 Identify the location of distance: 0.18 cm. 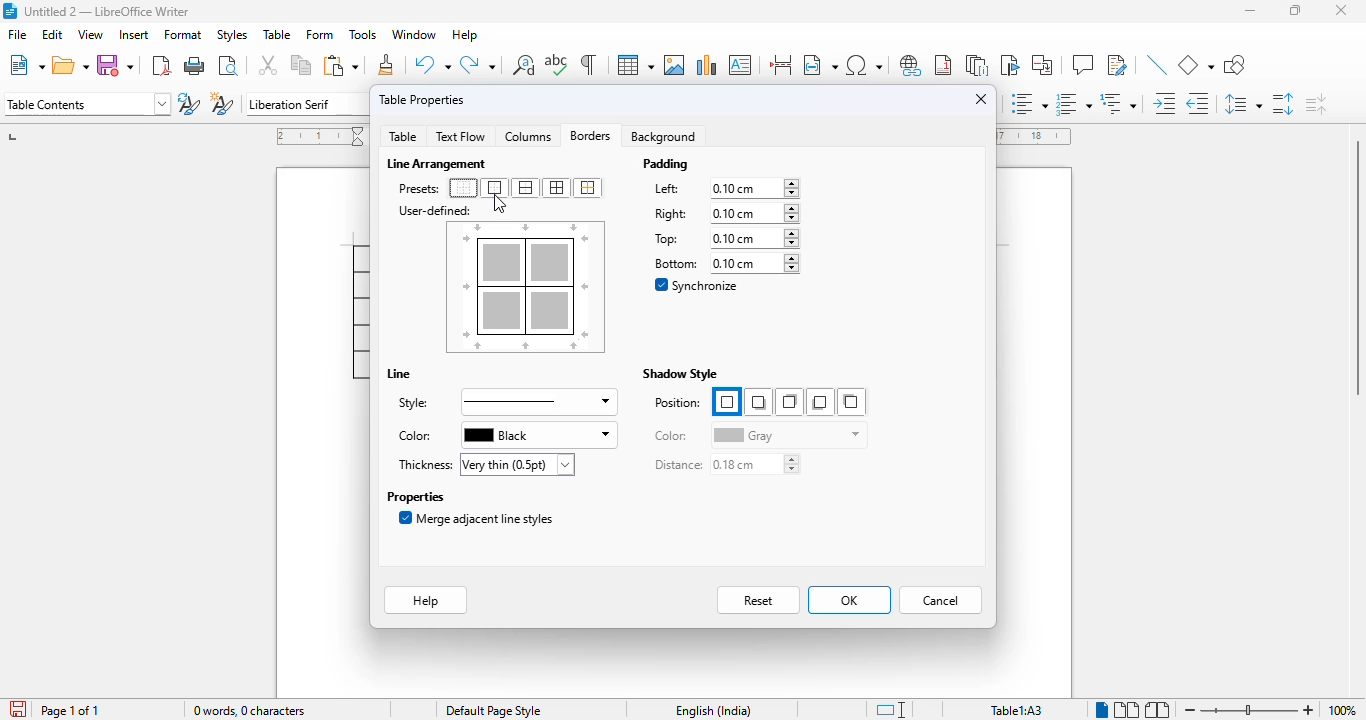
(726, 465).